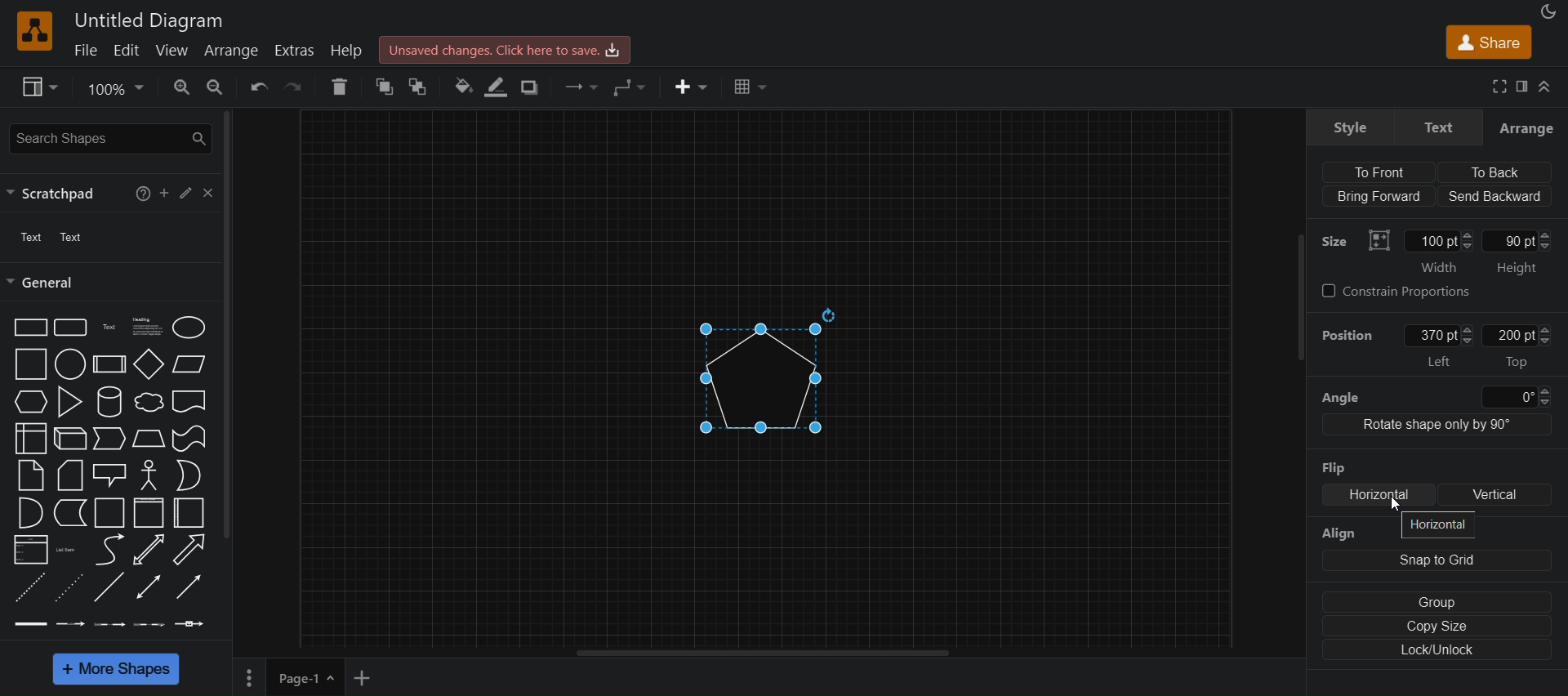 Image resolution: width=1568 pixels, height=696 pixels. What do you see at coordinates (189, 587) in the screenshot?
I see `Directional connector` at bounding box center [189, 587].